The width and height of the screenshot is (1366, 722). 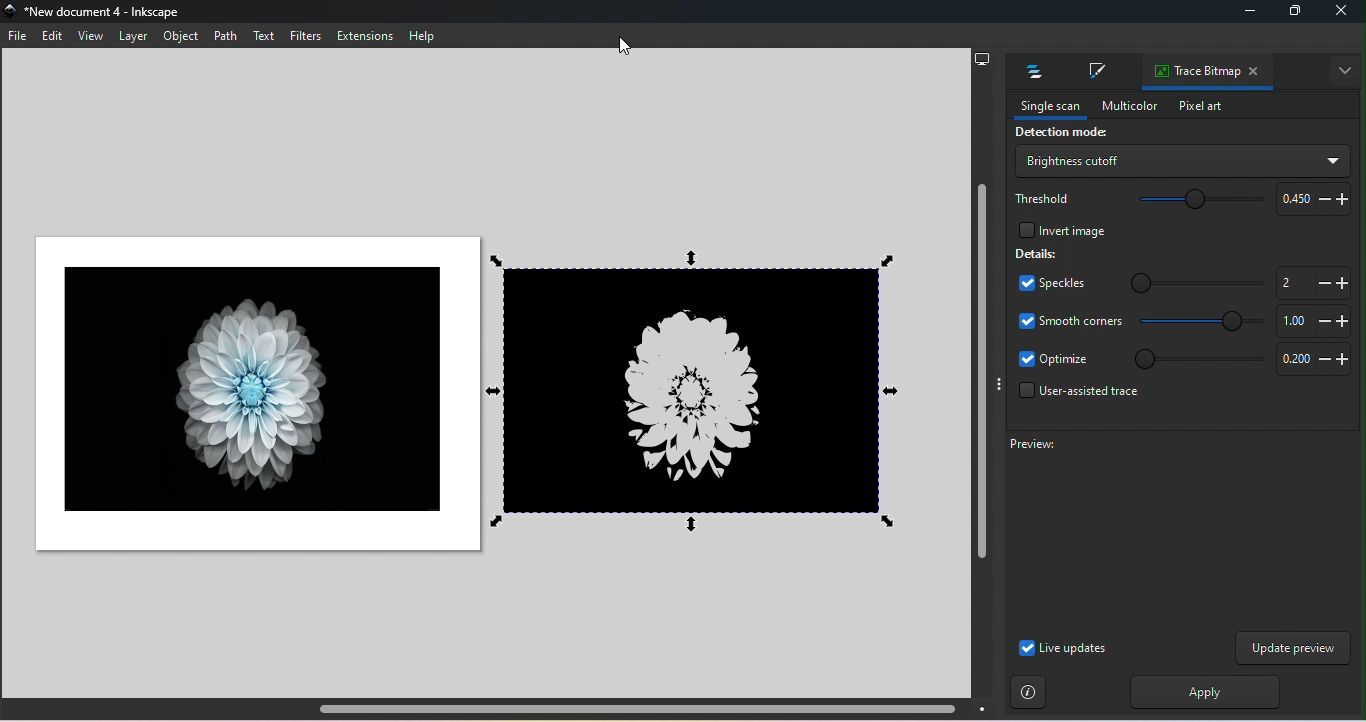 I want to click on Invert image, so click(x=1060, y=228).